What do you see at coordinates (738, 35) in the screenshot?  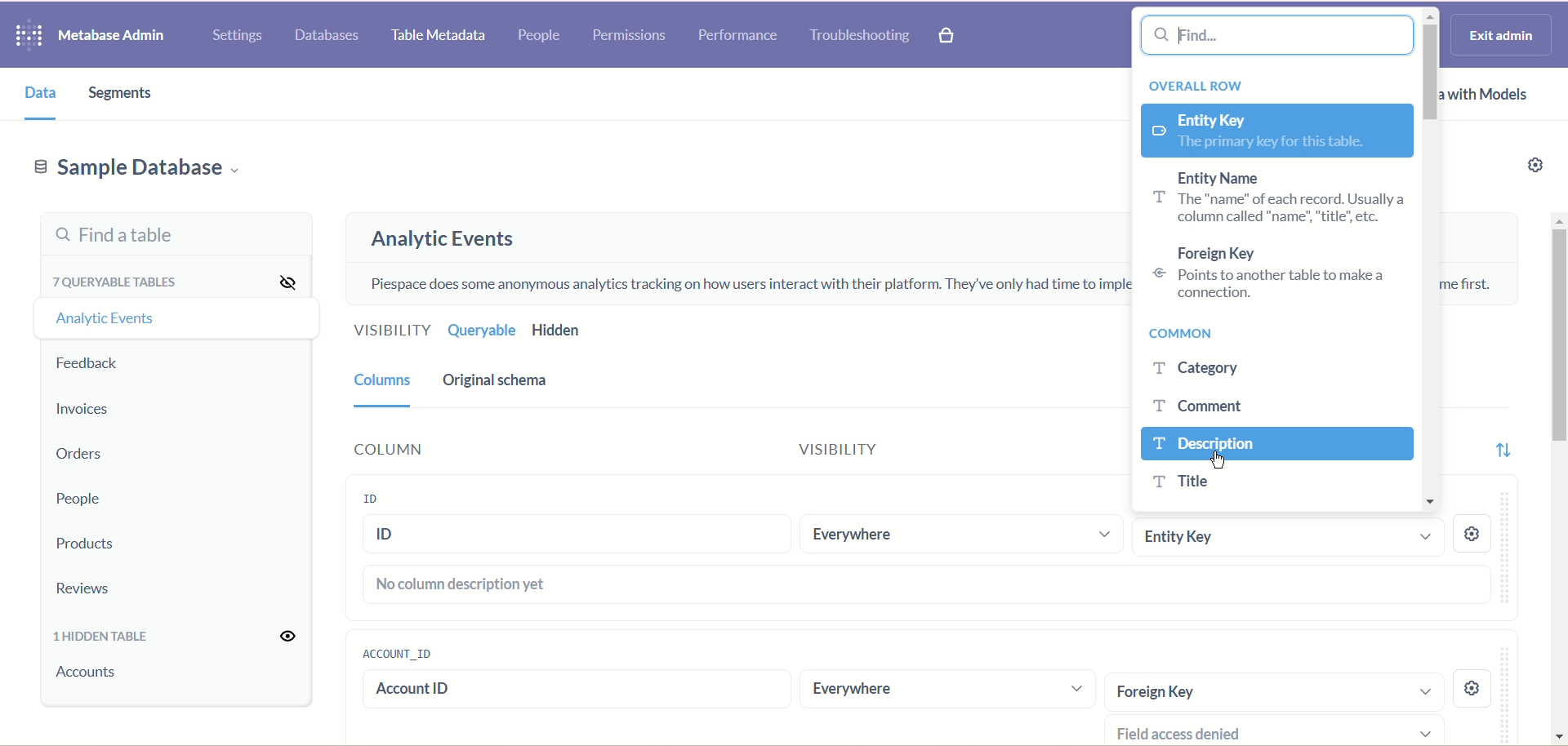 I see `performance` at bounding box center [738, 35].